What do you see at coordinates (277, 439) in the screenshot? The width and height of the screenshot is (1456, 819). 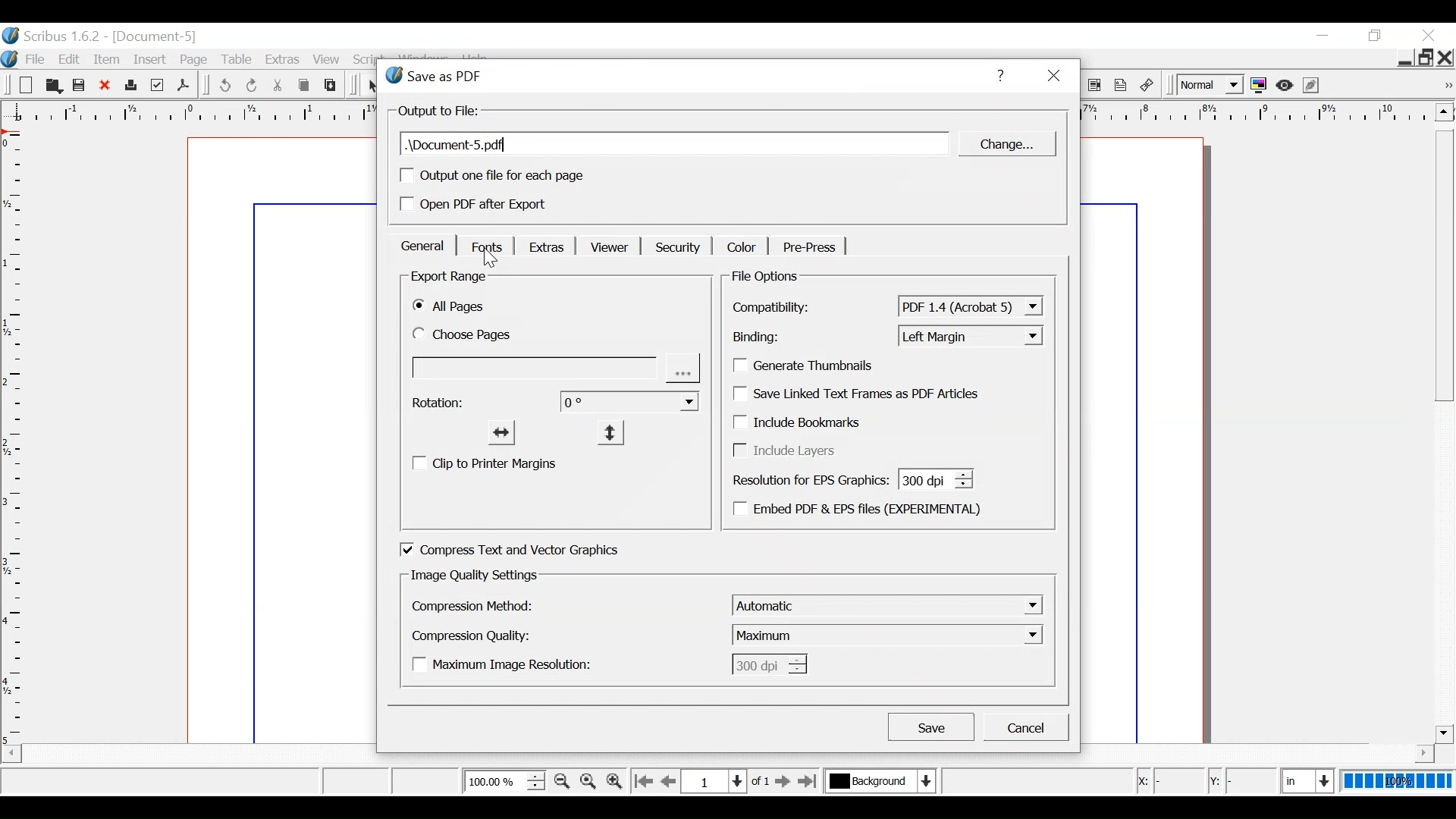 I see `Document` at bounding box center [277, 439].